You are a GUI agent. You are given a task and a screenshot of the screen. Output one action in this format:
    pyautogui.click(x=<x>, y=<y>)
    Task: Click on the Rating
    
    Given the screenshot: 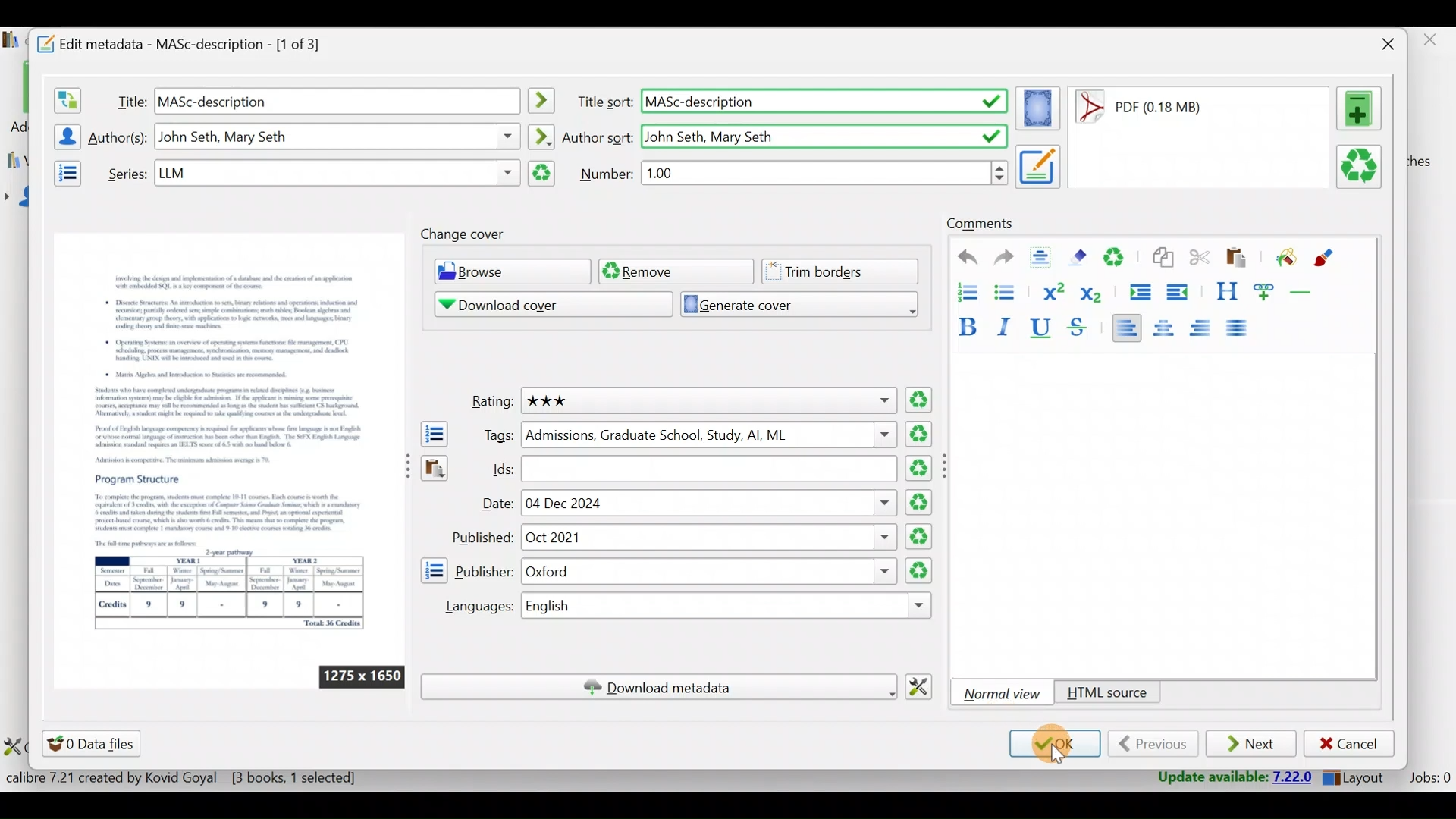 What is the action you would take?
    pyautogui.click(x=488, y=403)
    